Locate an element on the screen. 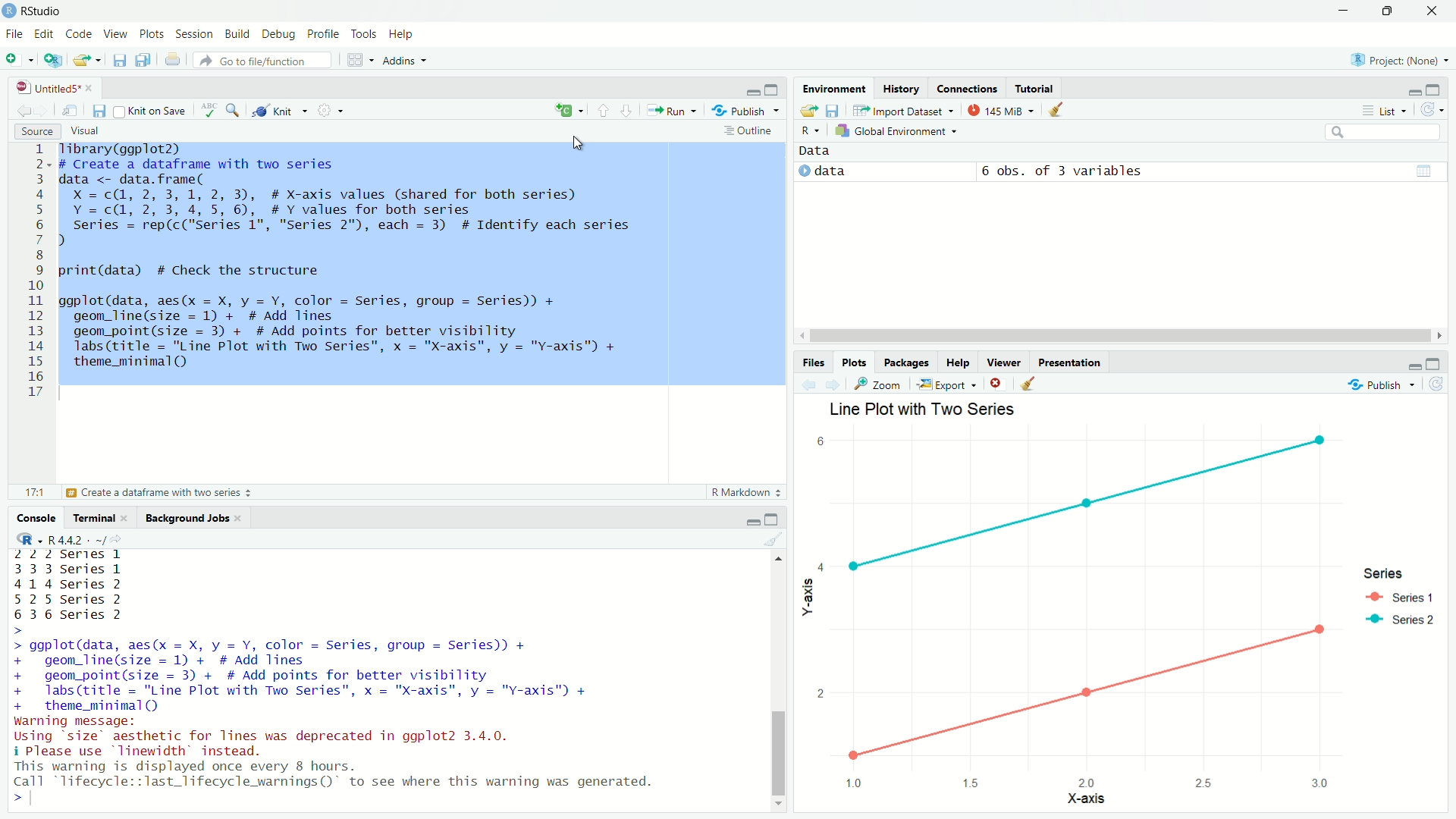 The image size is (1456, 819). Code is located at coordinates (77, 36).